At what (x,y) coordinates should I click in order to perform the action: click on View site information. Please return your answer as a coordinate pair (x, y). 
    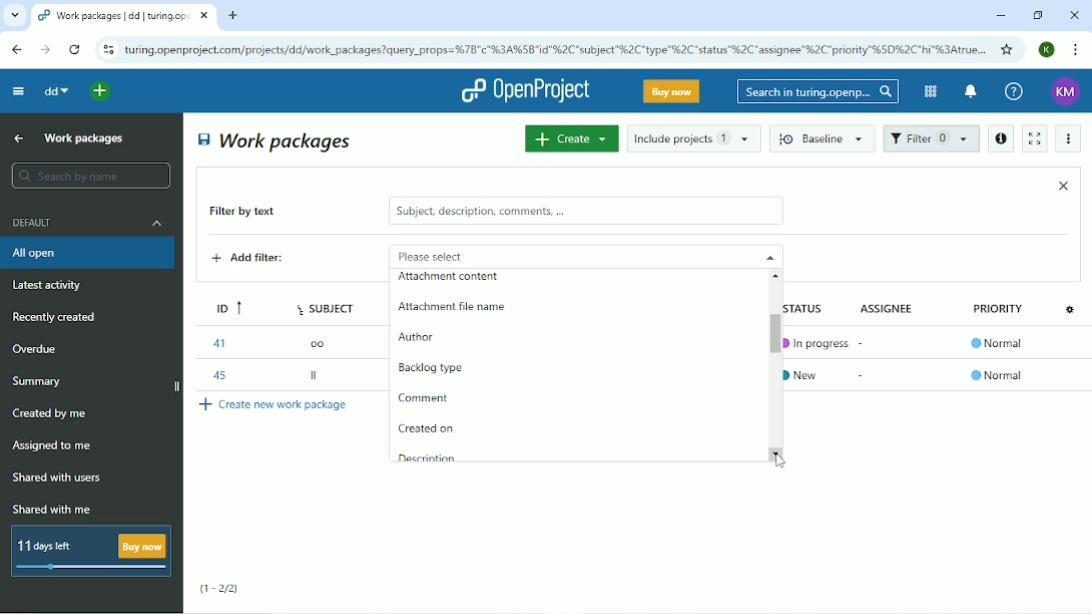
    Looking at the image, I should click on (108, 50).